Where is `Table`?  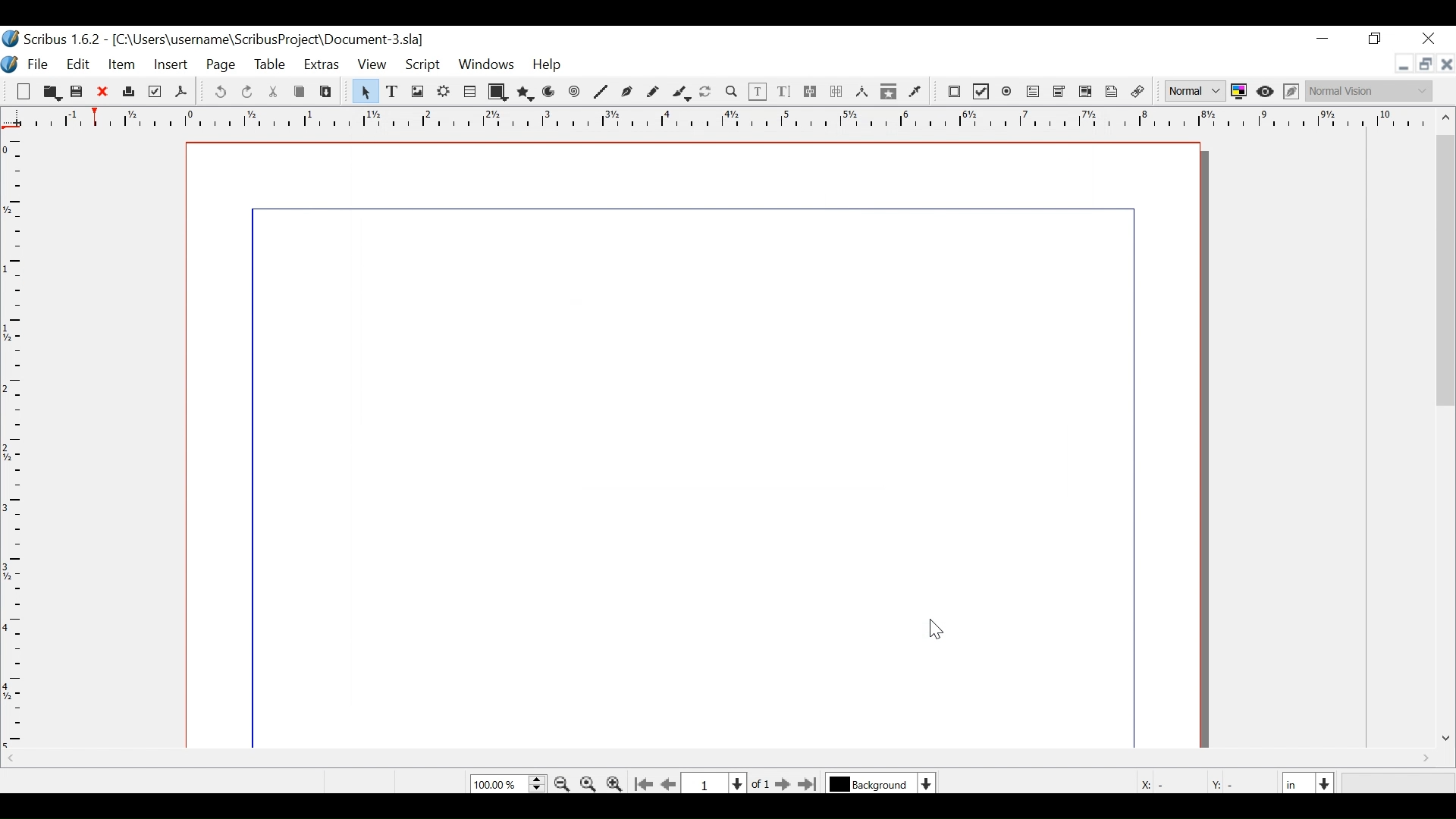 Table is located at coordinates (271, 66).